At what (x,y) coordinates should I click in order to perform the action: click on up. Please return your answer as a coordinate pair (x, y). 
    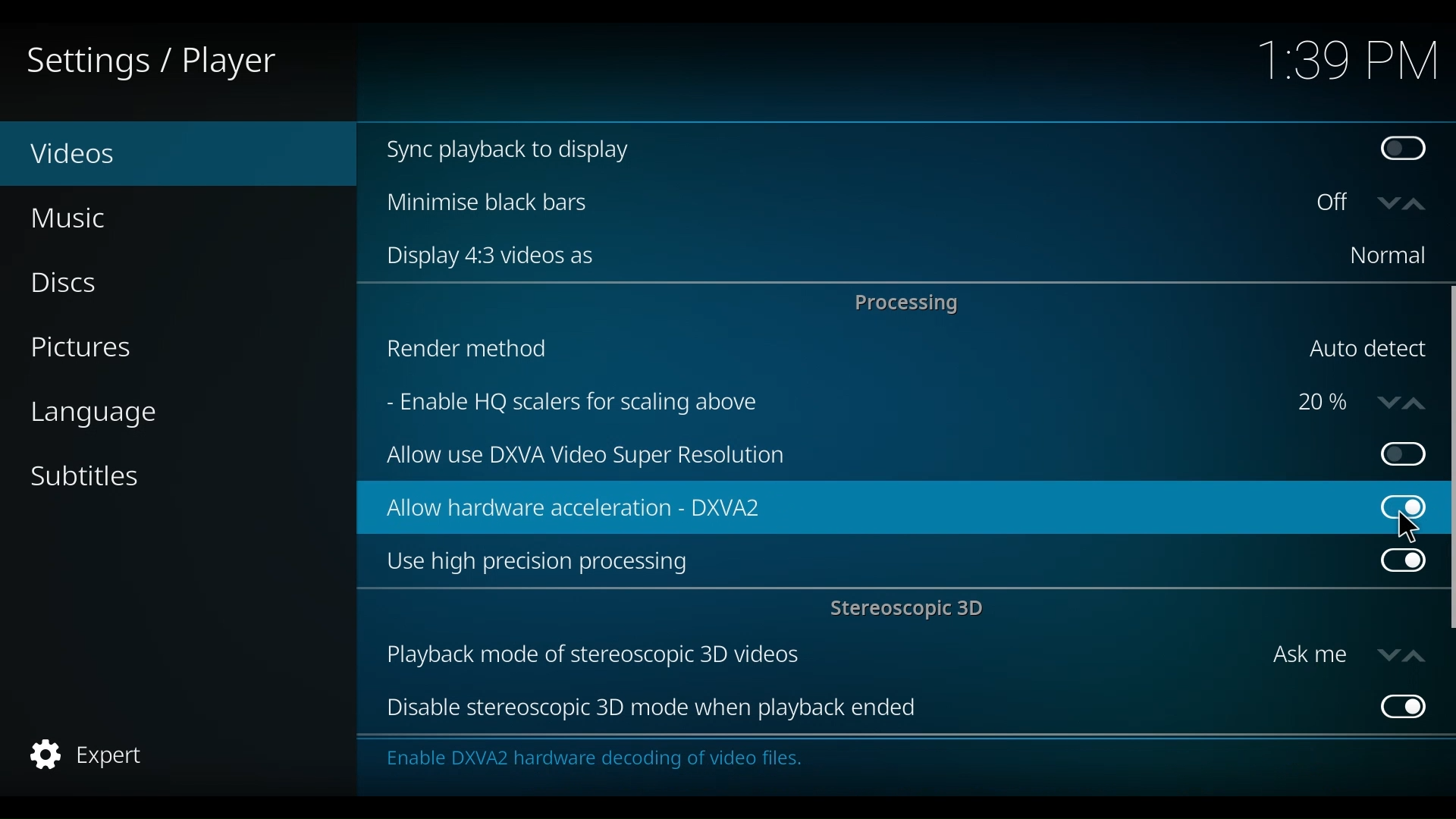
    Looking at the image, I should click on (1413, 654).